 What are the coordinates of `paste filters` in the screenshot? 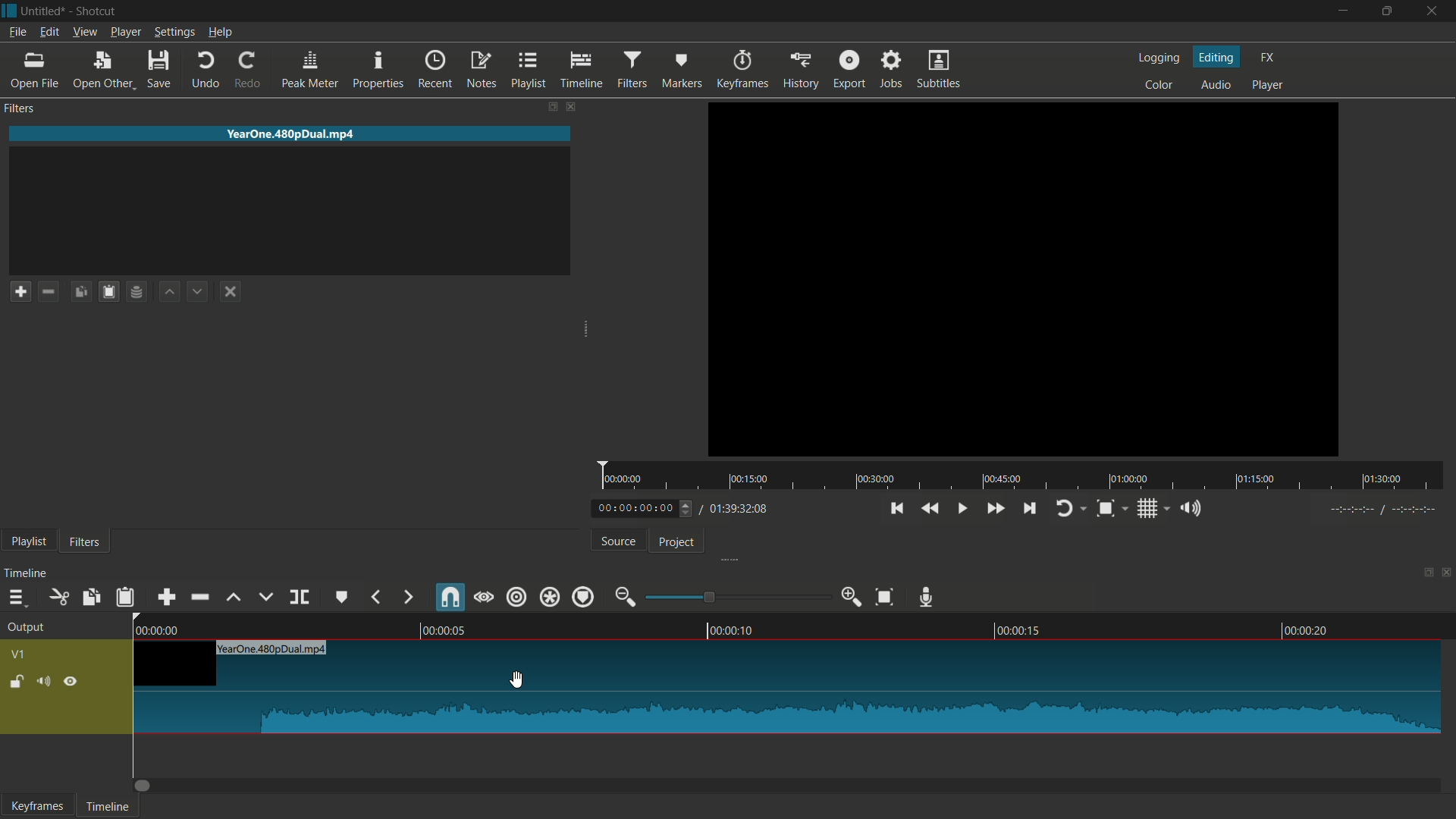 It's located at (111, 292).